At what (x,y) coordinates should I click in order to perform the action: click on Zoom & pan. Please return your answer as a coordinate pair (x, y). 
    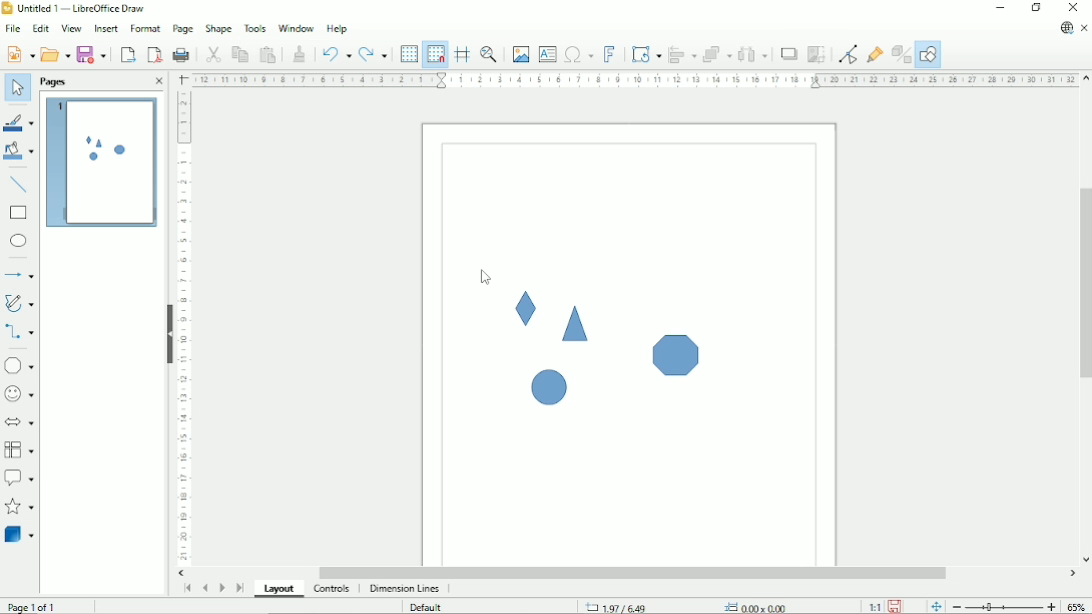
    Looking at the image, I should click on (489, 54).